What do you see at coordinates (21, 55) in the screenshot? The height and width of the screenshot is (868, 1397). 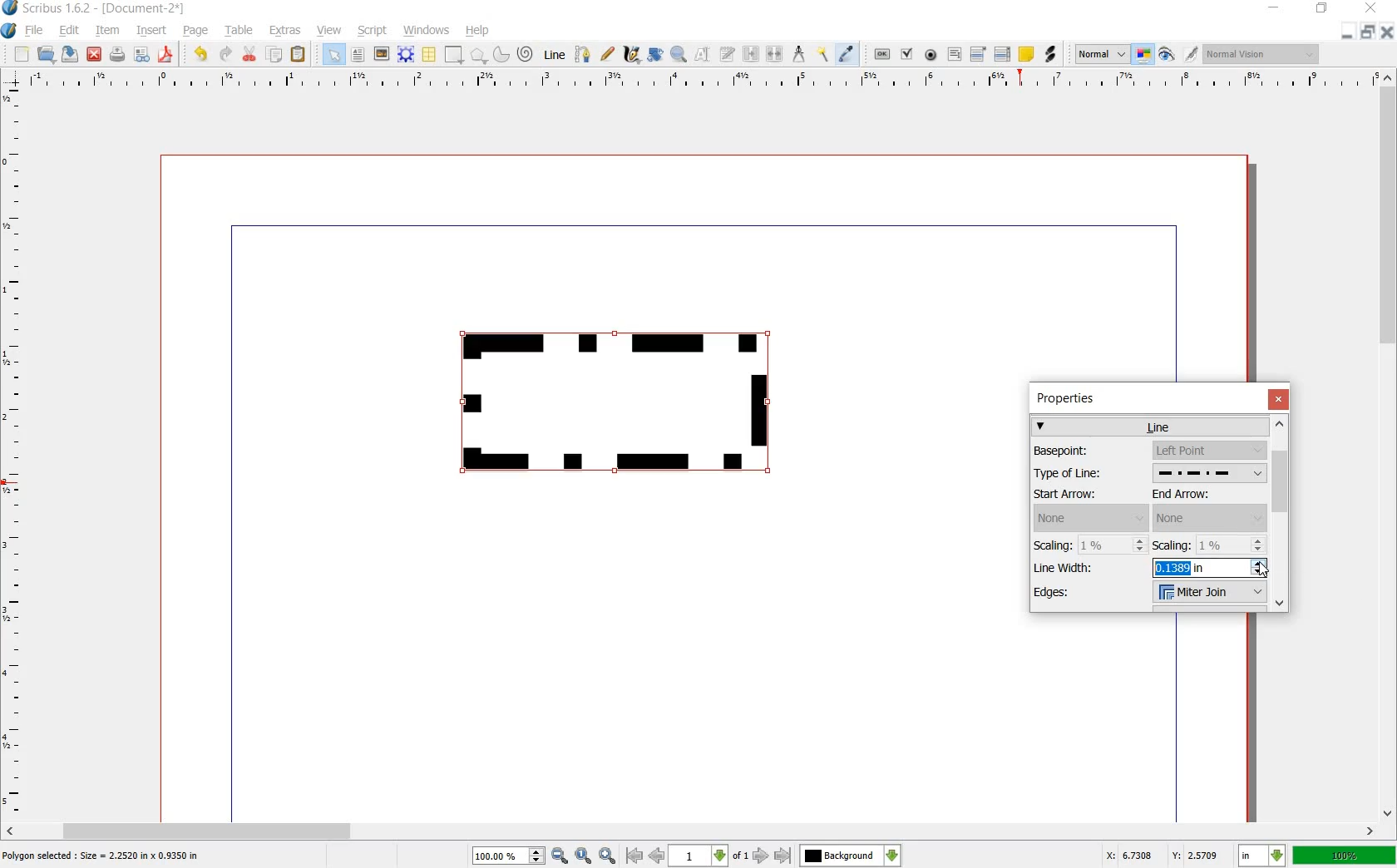 I see `NEW` at bounding box center [21, 55].